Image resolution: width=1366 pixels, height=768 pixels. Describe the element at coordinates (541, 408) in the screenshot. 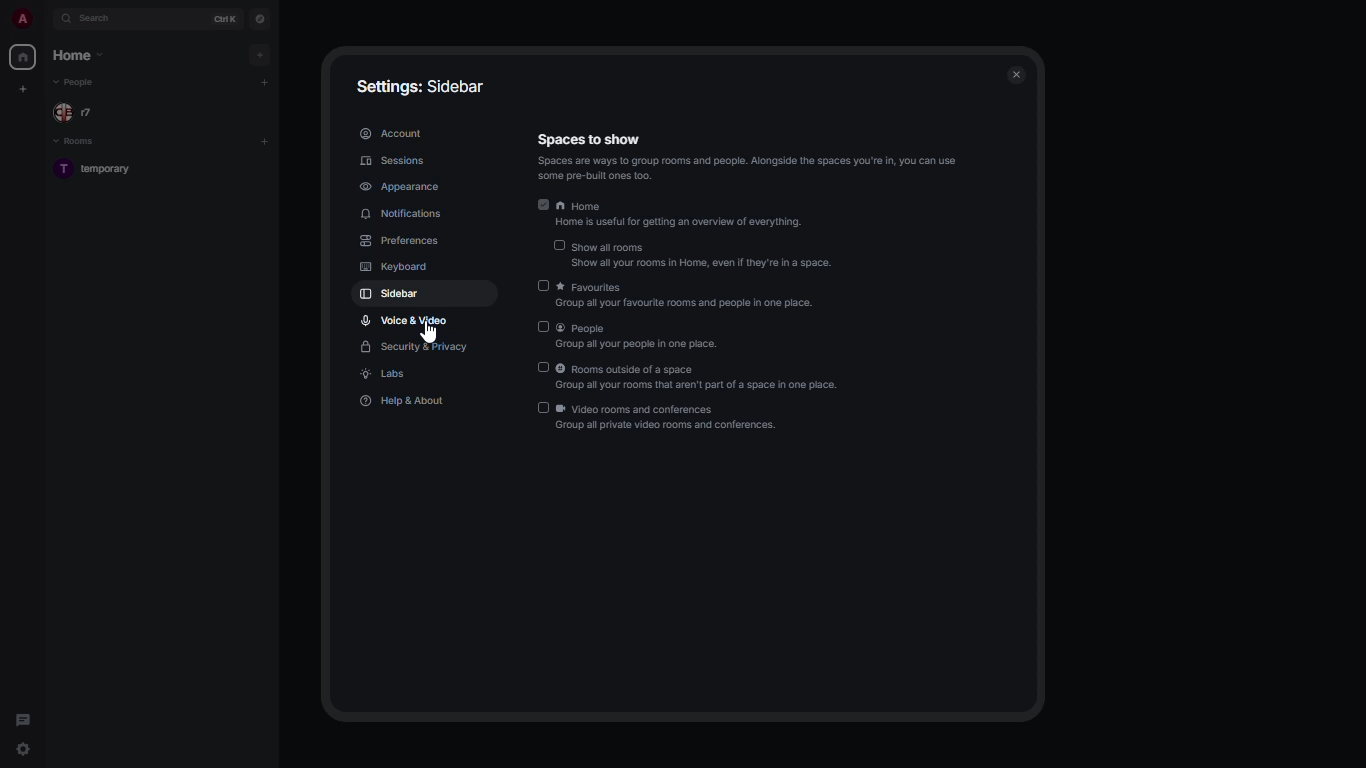

I see `disabled` at that location.